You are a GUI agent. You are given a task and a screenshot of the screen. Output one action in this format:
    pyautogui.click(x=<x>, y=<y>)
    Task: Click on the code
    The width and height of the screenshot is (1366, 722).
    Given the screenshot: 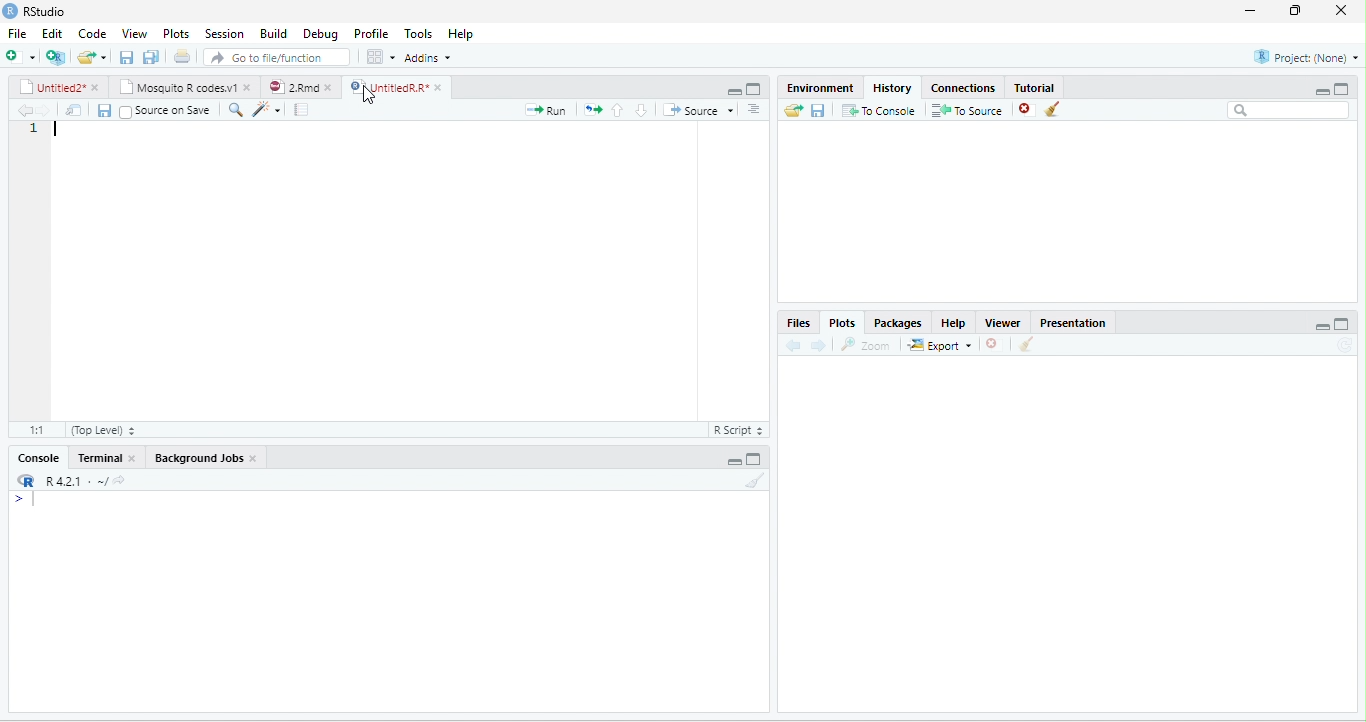 What is the action you would take?
    pyautogui.click(x=92, y=34)
    